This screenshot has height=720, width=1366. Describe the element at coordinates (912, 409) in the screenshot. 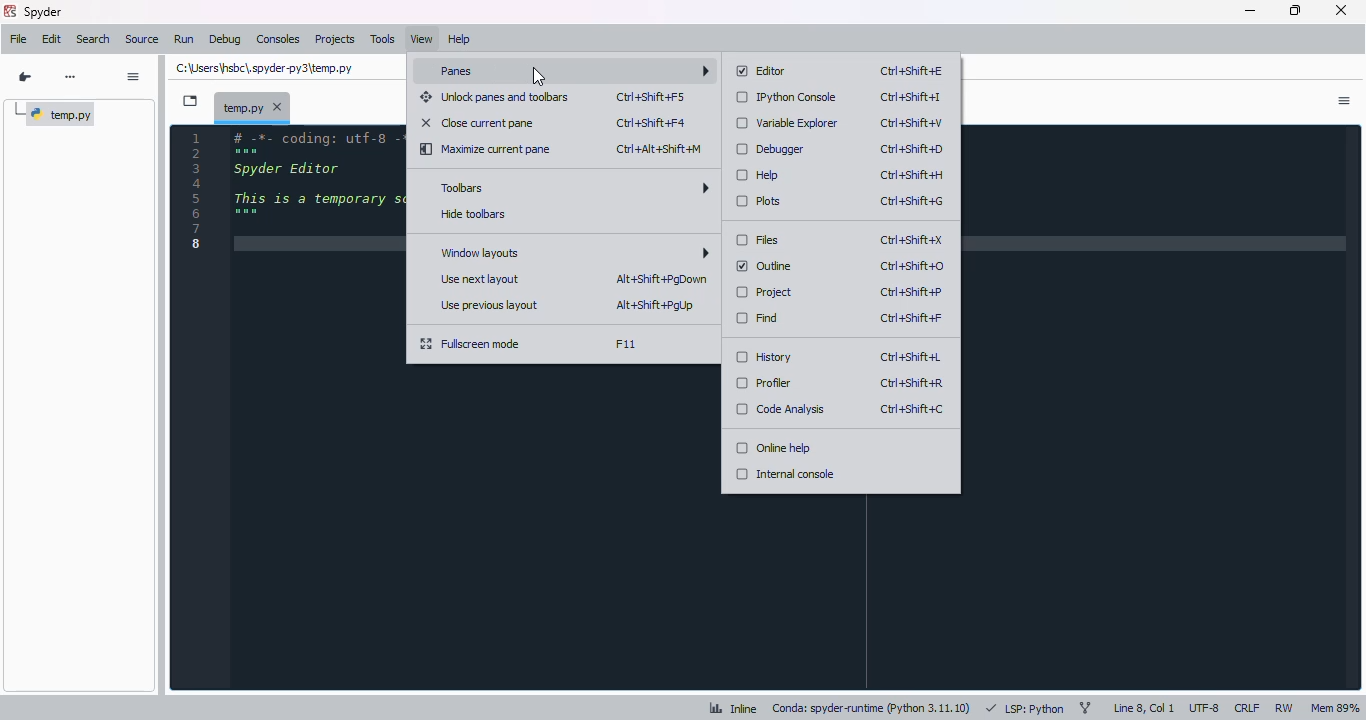

I see `shortcut for code analysis` at that location.